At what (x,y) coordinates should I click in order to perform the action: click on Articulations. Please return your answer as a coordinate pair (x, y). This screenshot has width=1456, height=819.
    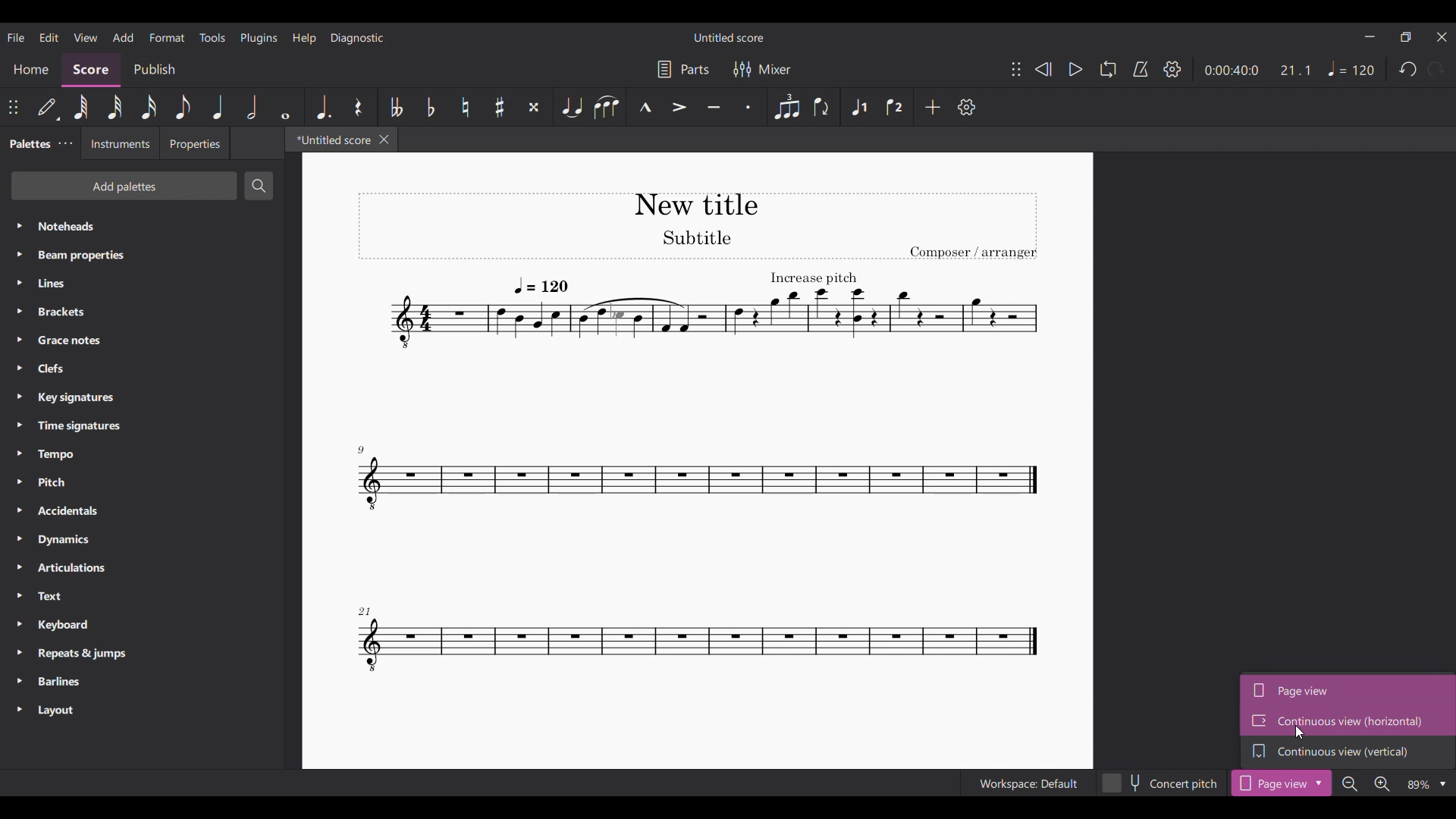
    Looking at the image, I should click on (141, 567).